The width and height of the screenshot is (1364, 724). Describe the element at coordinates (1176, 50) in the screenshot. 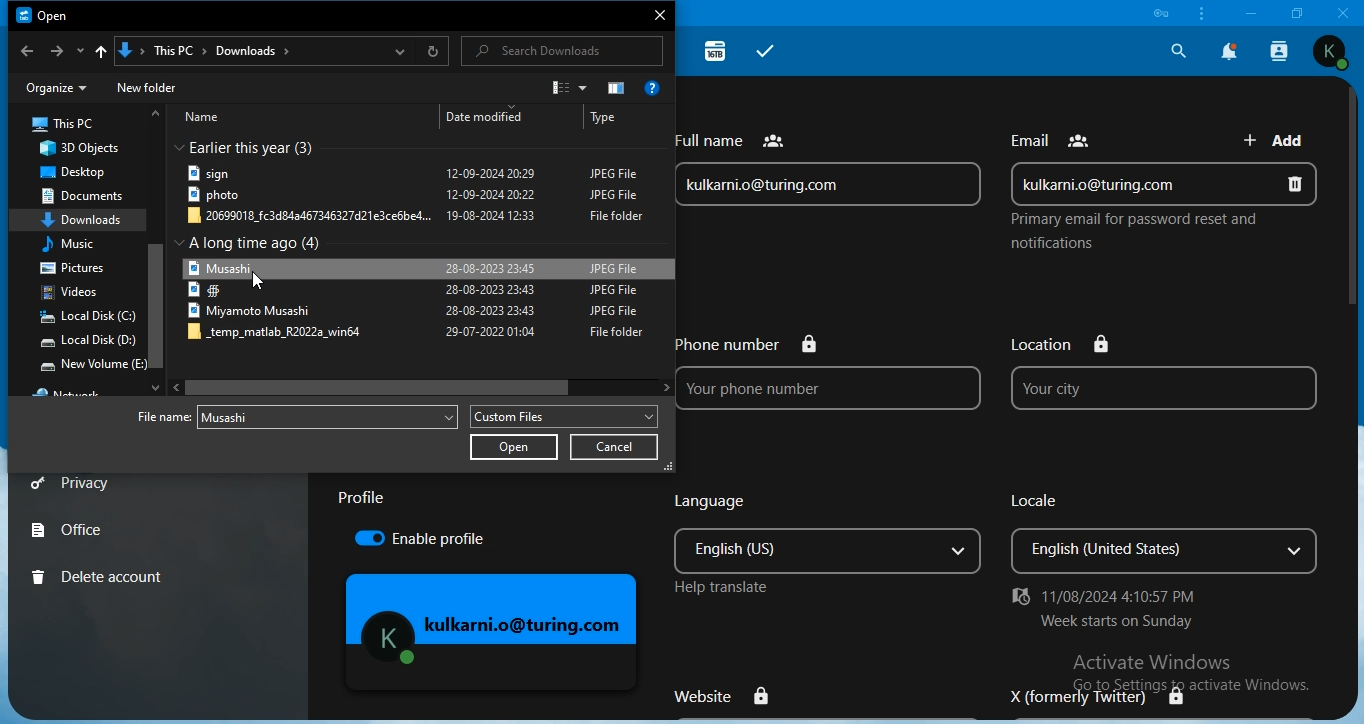

I see `search` at that location.